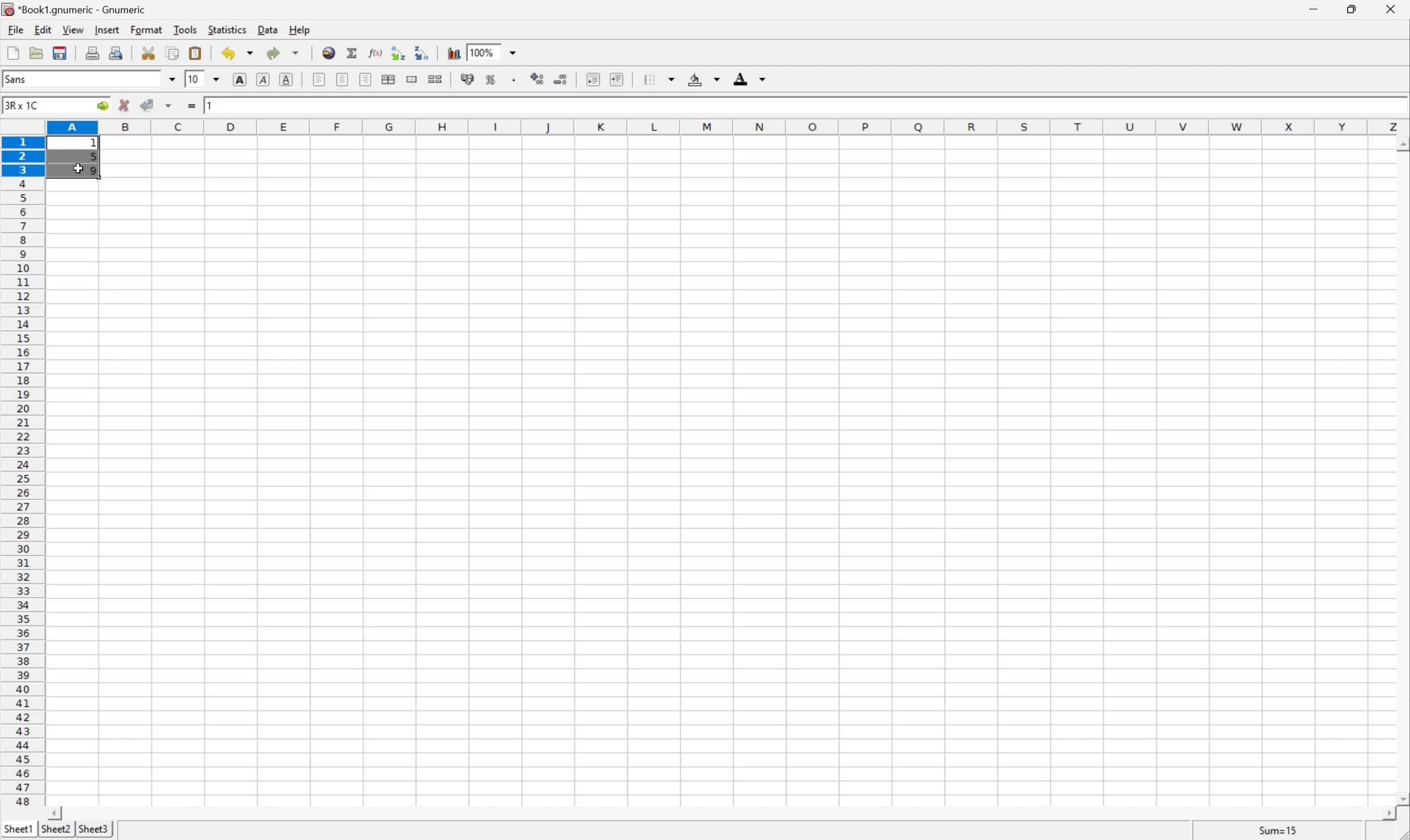 The width and height of the screenshot is (1410, 840). Describe the element at coordinates (96, 144) in the screenshot. I see `1` at that location.